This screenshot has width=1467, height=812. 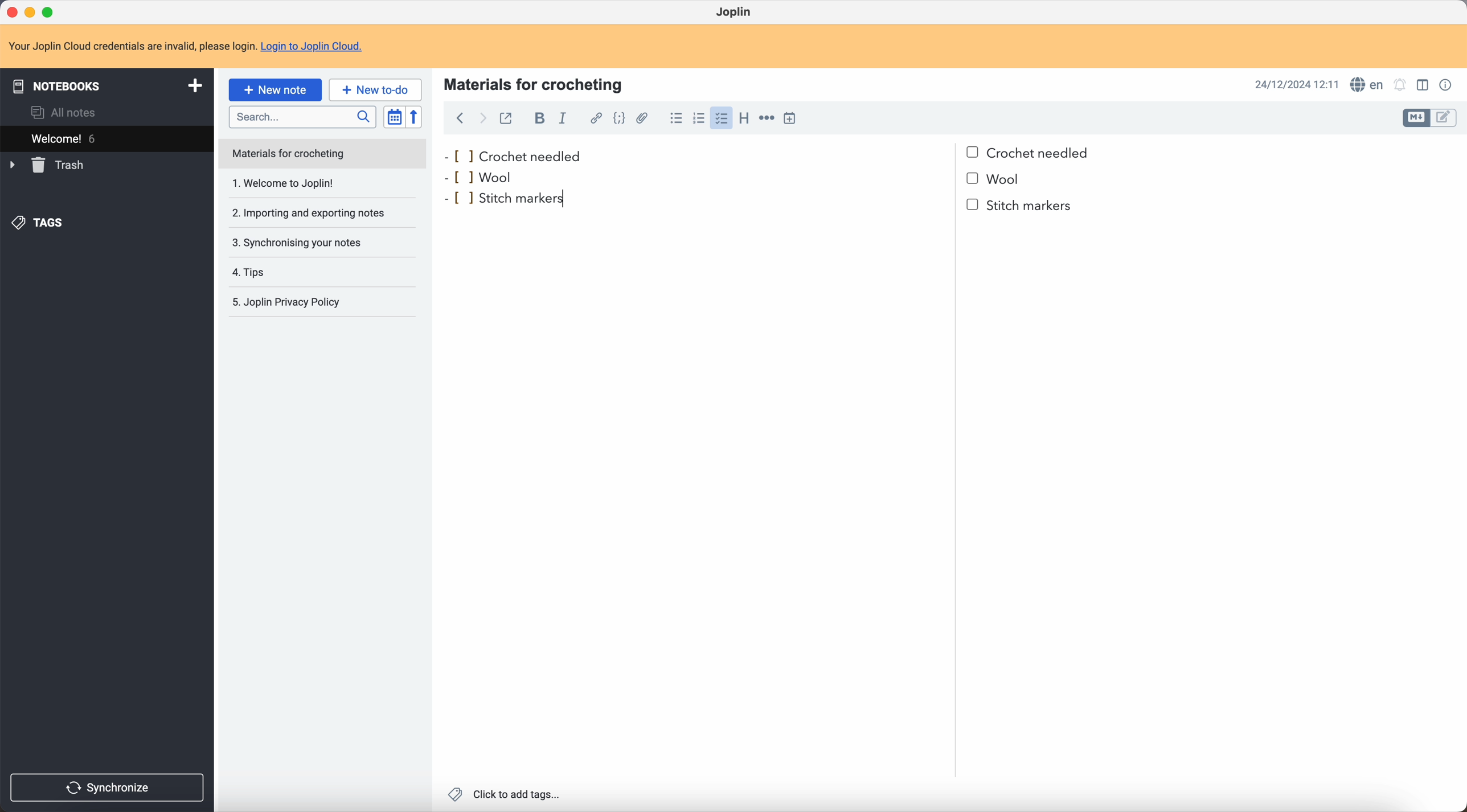 I want to click on bullet point, so click(x=458, y=198).